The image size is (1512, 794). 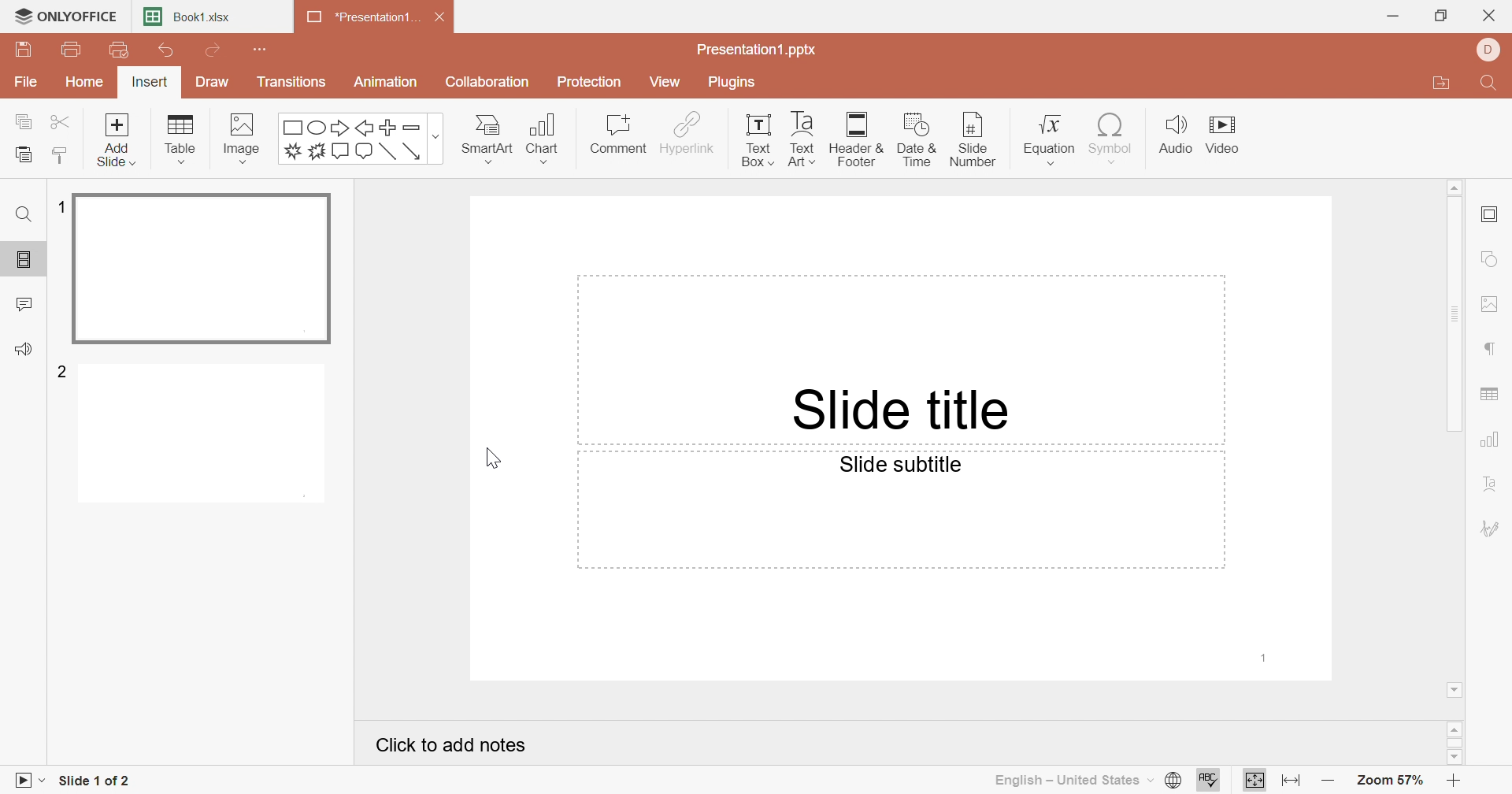 What do you see at coordinates (261, 47) in the screenshot?
I see `Customize Quick AcessToolbar` at bounding box center [261, 47].